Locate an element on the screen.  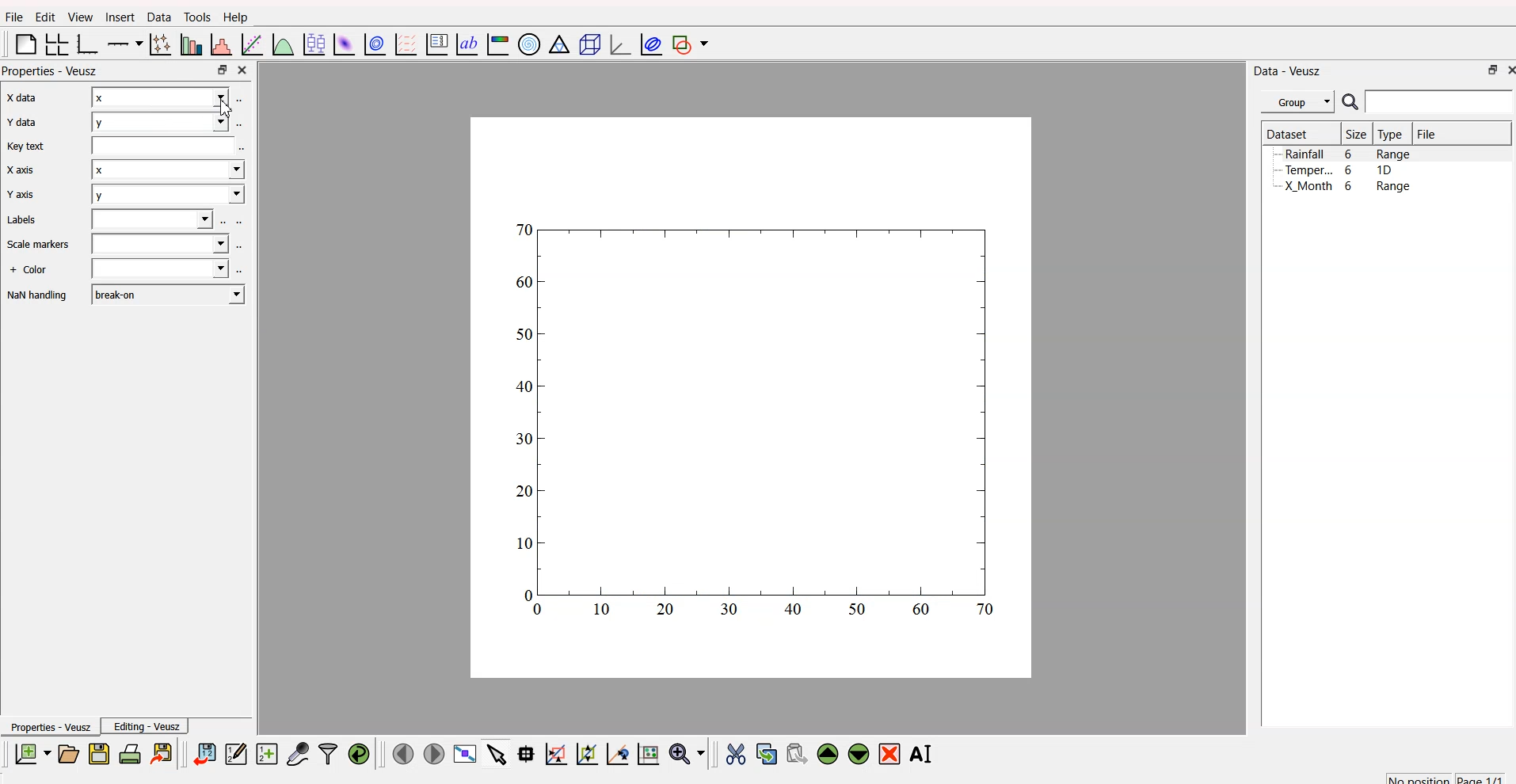
Temper... 6 1D is located at coordinates (1338, 169).